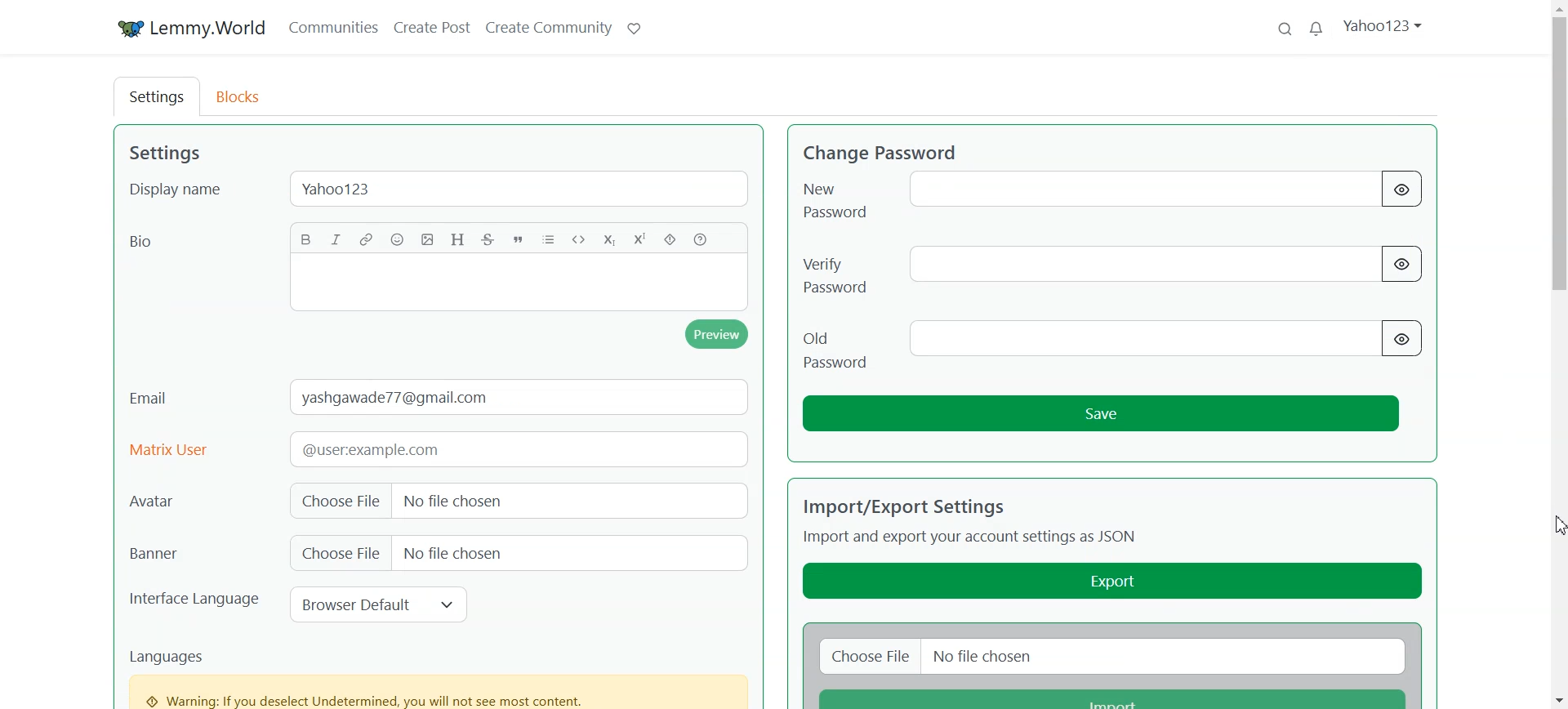  I want to click on no file chosen, so click(563, 501).